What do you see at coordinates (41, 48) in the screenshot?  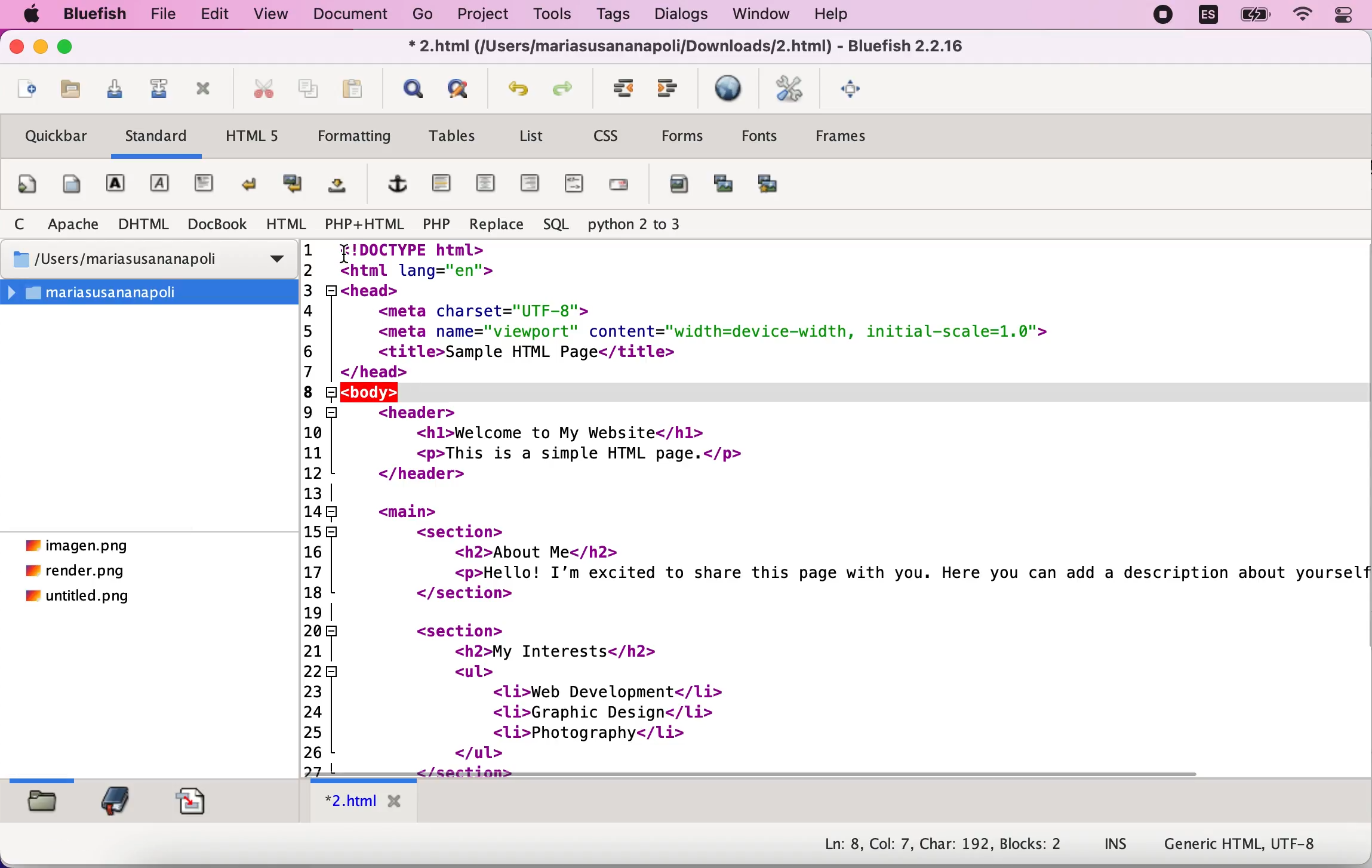 I see `minimize` at bounding box center [41, 48].